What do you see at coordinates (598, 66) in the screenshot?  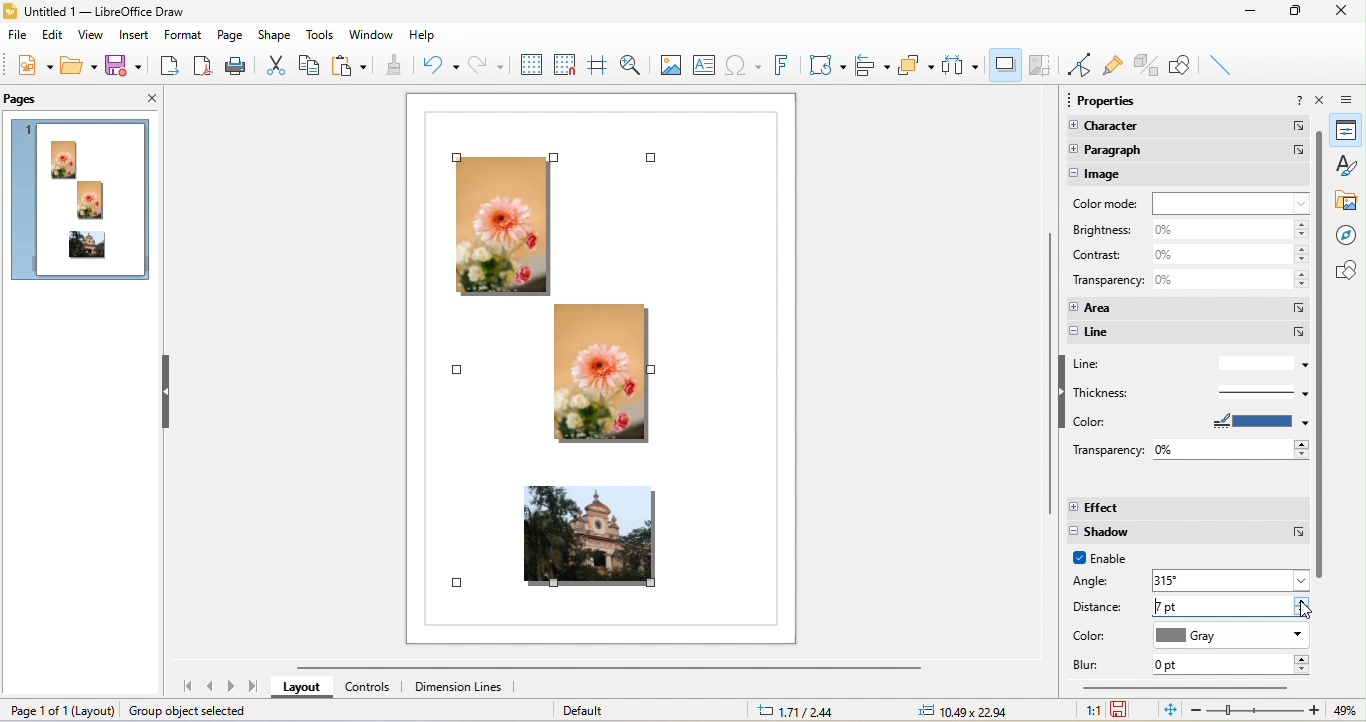 I see `helpline while moving` at bounding box center [598, 66].